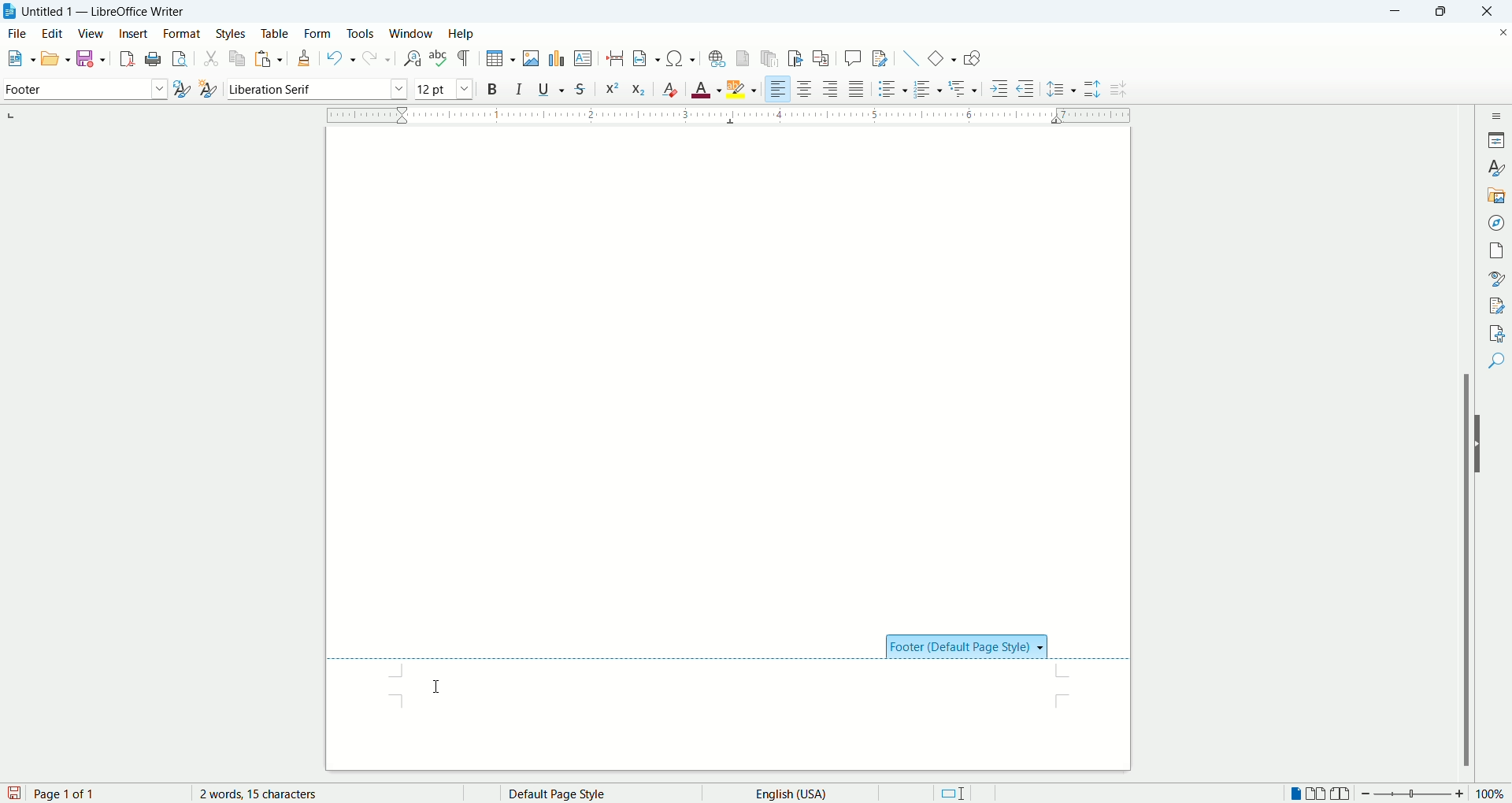 The image size is (1512, 803). What do you see at coordinates (411, 58) in the screenshot?
I see `find and replace` at bounding box center [411, 58].